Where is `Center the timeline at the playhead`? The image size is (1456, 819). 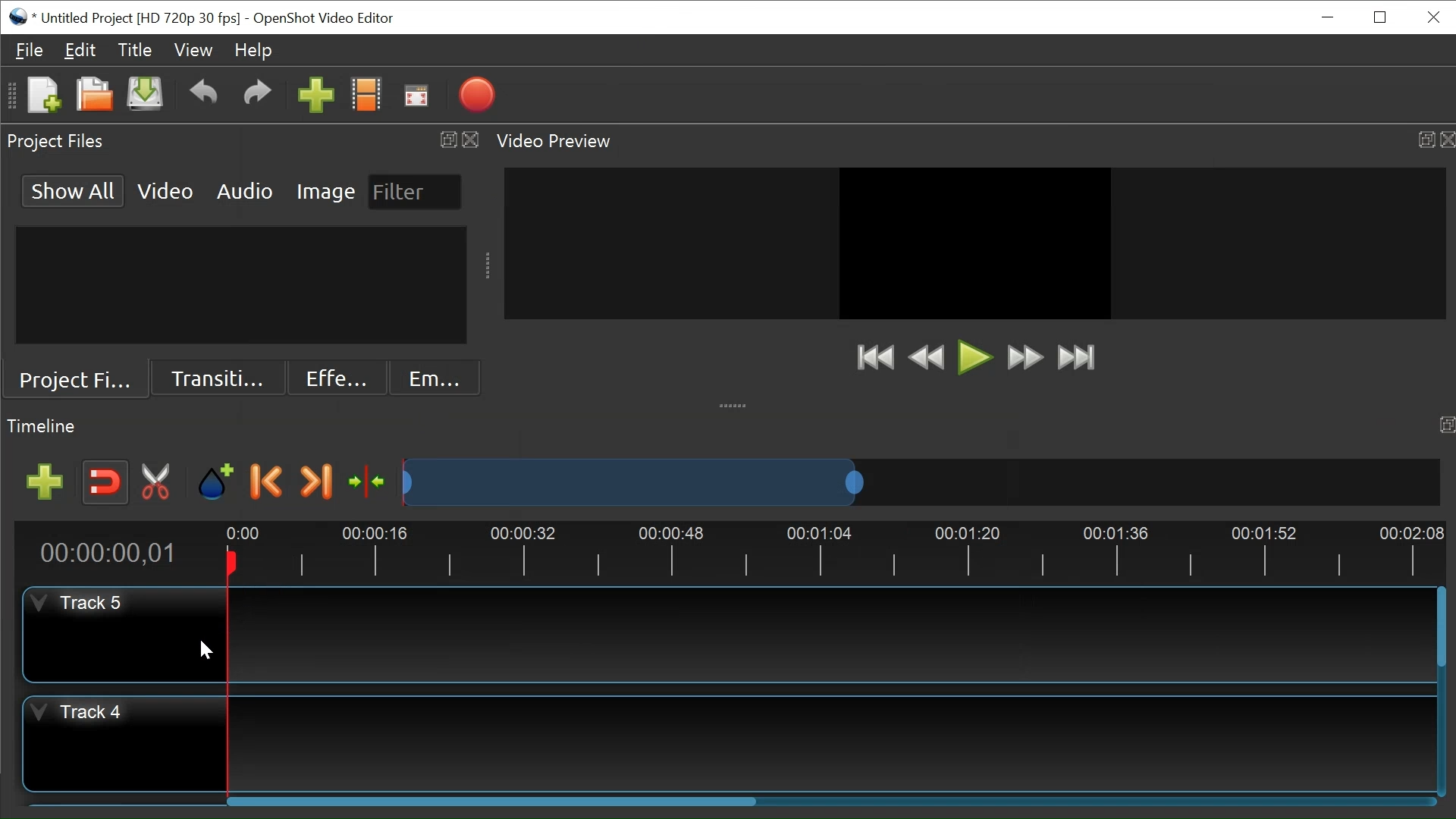
Center the timeline at the playhead is located at coordinates (370, 483).